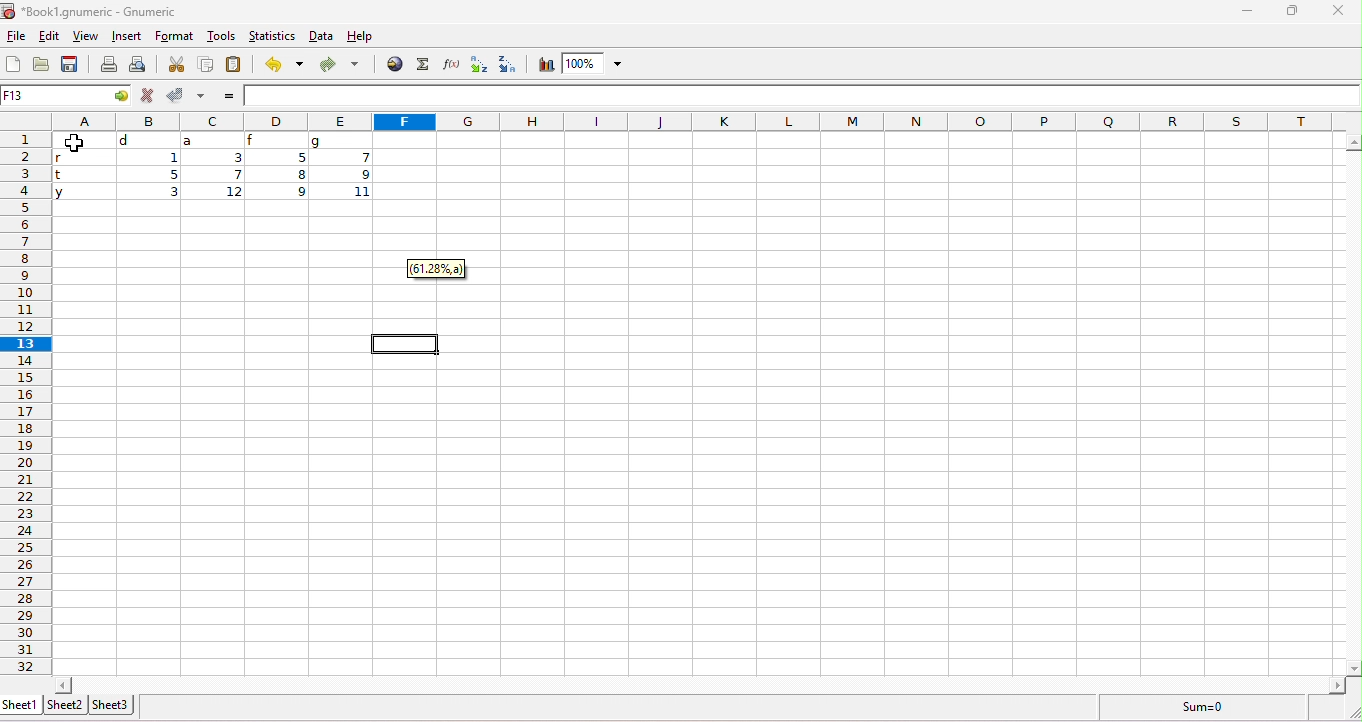  What do you see at coordinates (125, 36) in the screenshot?
I see `insert` at bounding box center [125, 36].